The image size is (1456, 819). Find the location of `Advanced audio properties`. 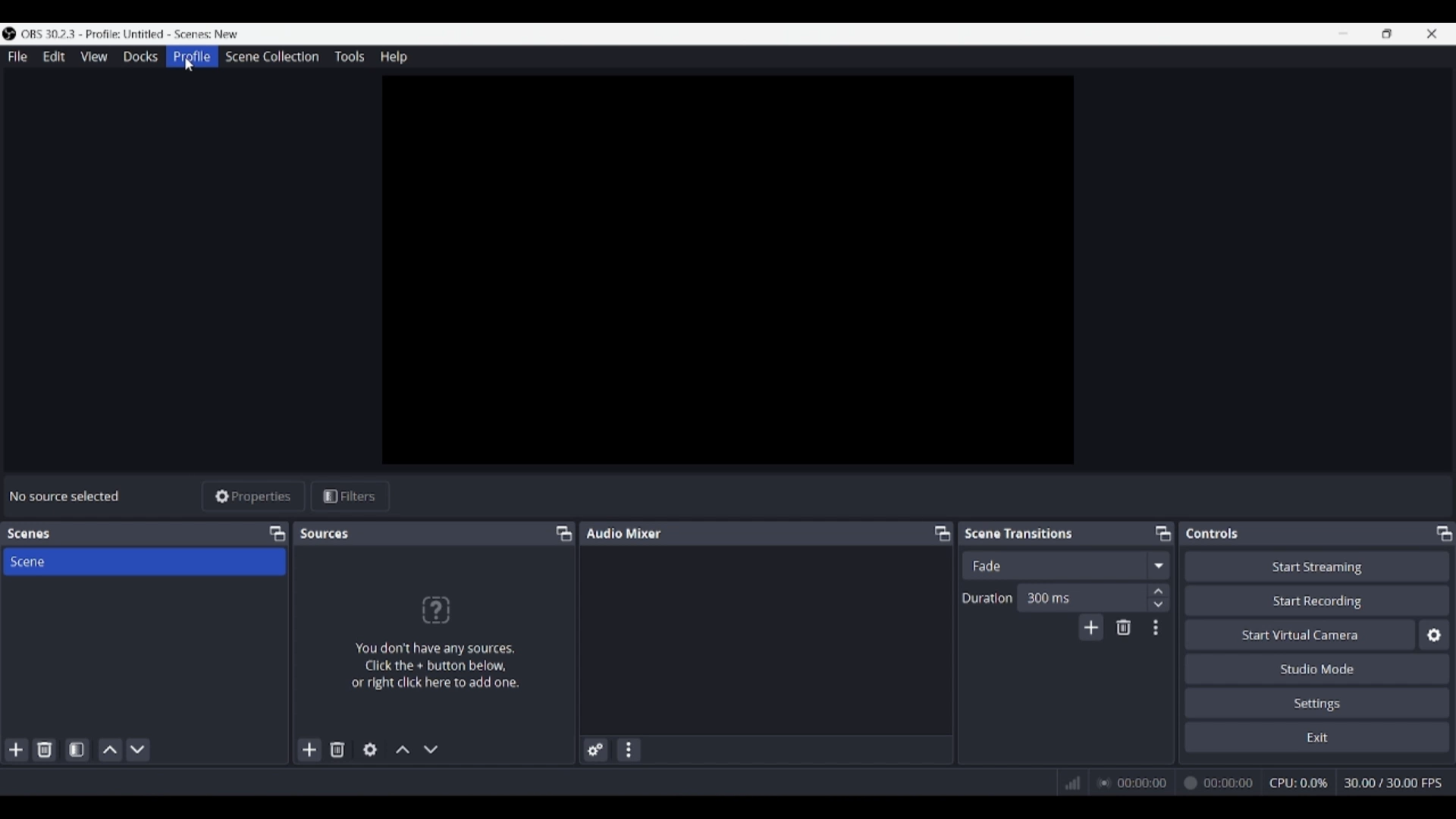

Advanced audio properties is located at coordinates (595, 750).